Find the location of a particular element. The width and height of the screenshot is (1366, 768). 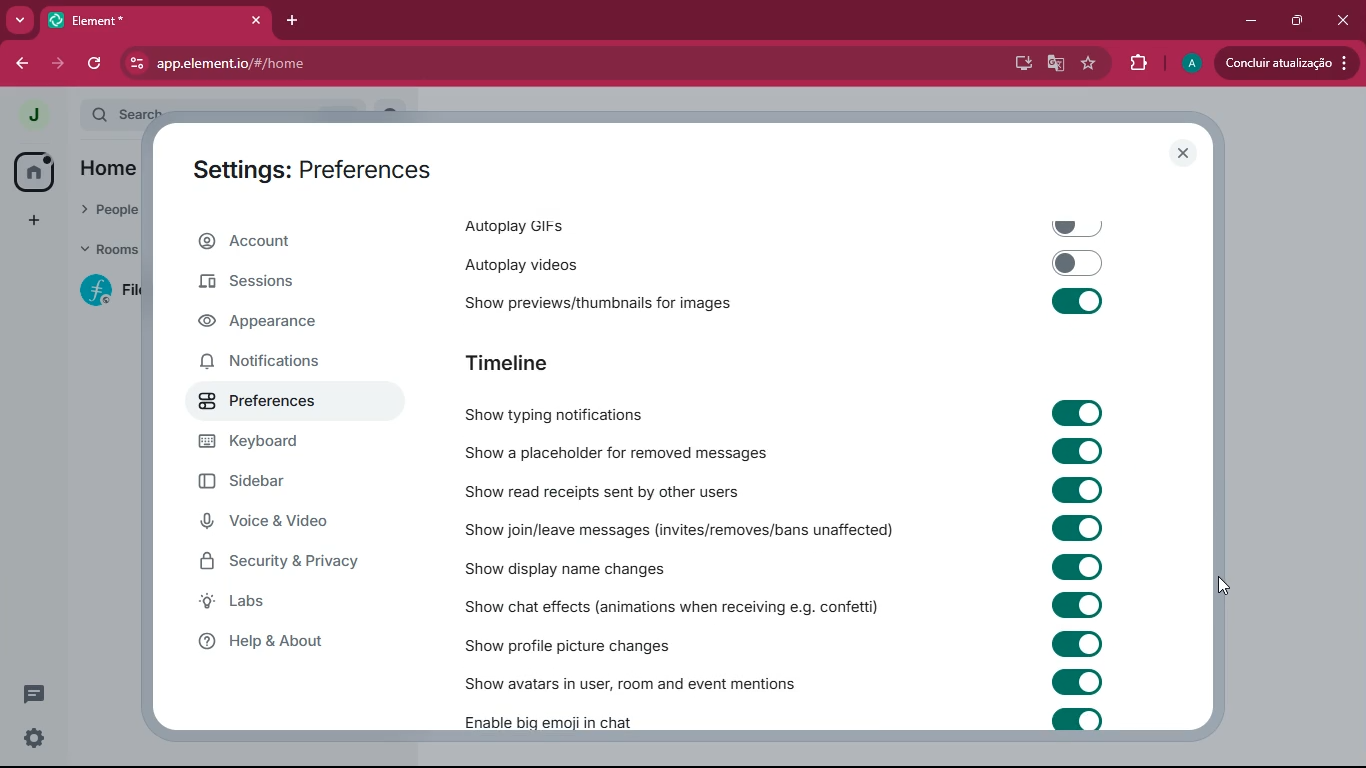

security & security is located at coordinates (301, 560).